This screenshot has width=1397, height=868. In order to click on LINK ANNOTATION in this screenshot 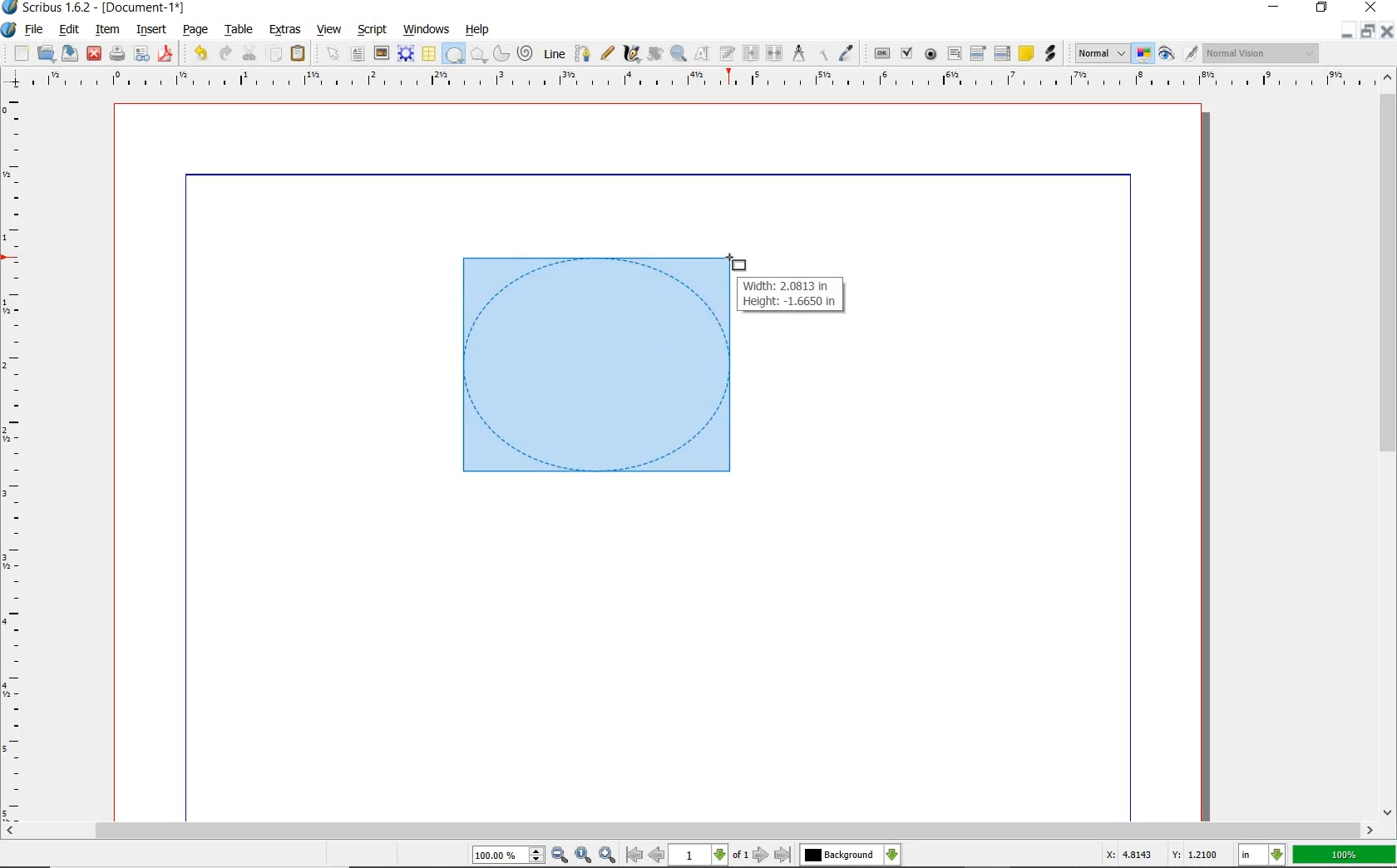, I will do `click(1051, 54)`.